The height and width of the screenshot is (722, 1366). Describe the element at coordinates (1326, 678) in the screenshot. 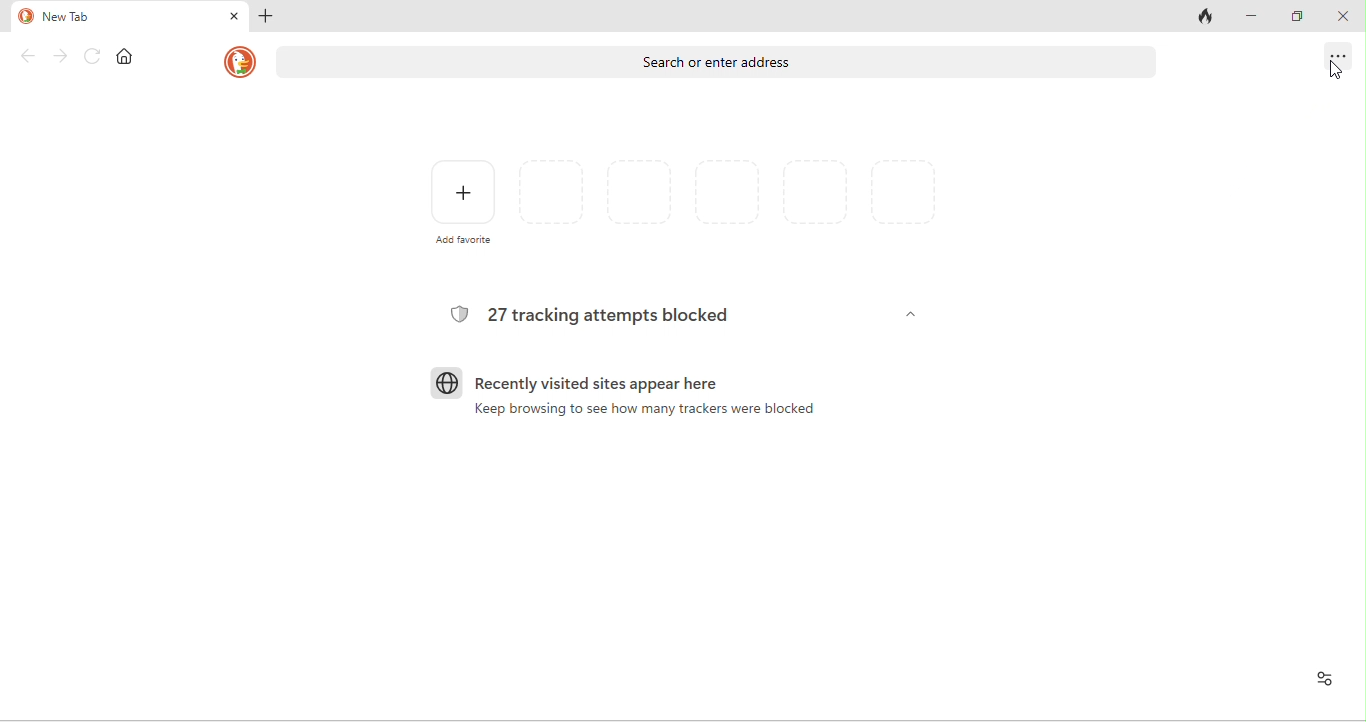

I see `recent activity and favourites` at that location.